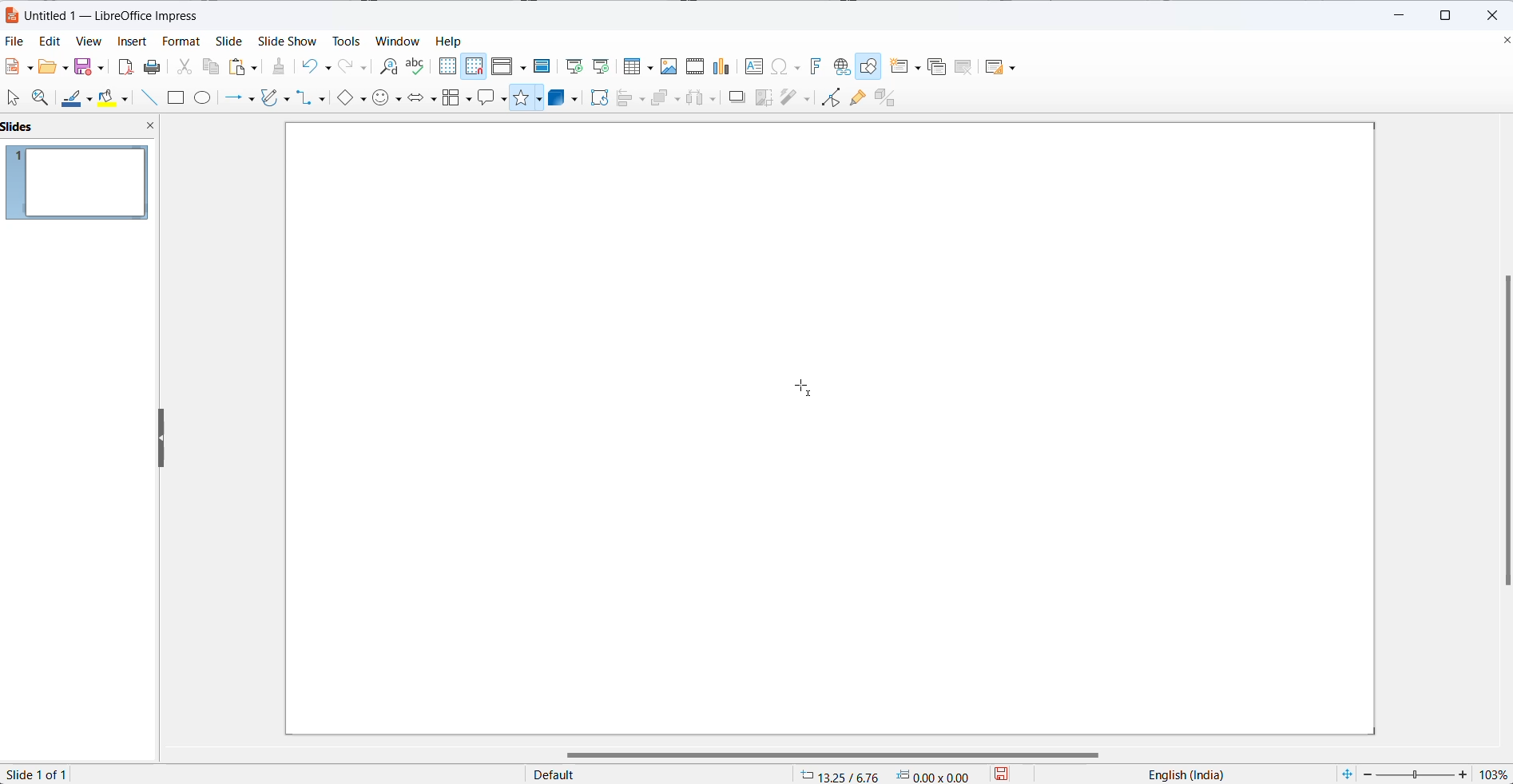  I want to click on zoom slider, so click(1417, 774).